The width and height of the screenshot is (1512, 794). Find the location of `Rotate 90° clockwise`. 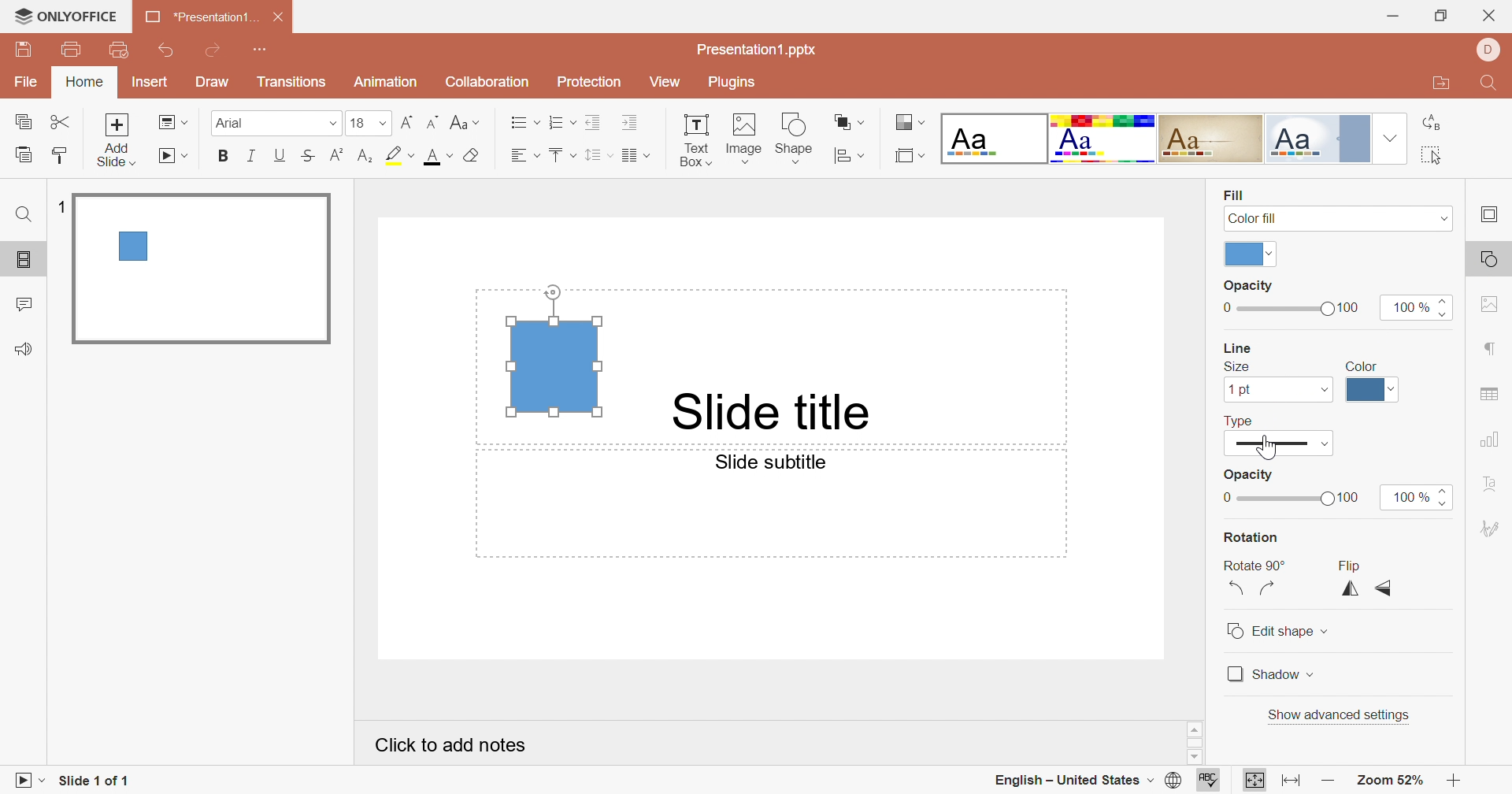

Rotate 90° clockwise is located at coordinates (1270, 588).